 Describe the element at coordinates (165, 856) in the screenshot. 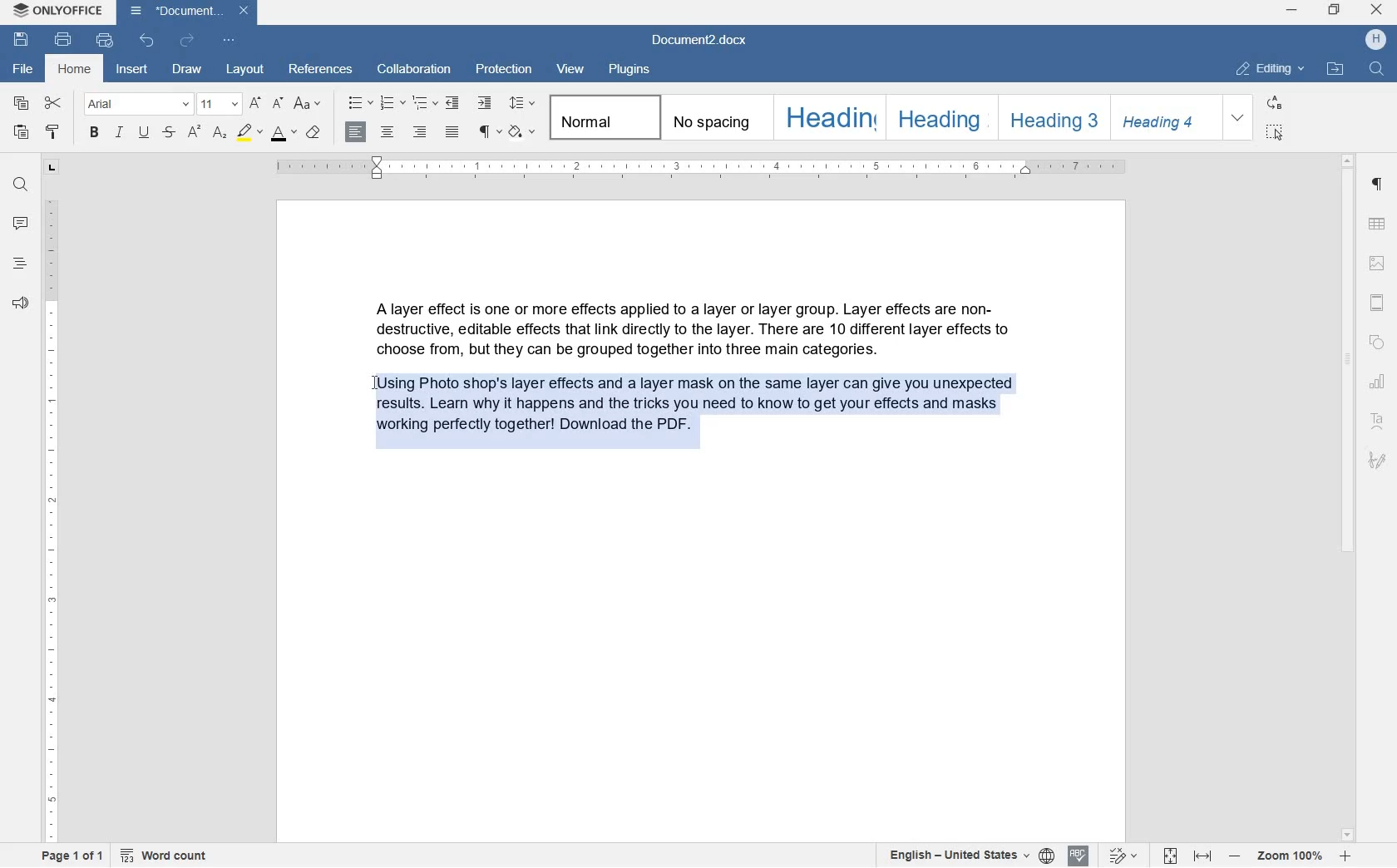

I see `WORD COUNT` at that location.